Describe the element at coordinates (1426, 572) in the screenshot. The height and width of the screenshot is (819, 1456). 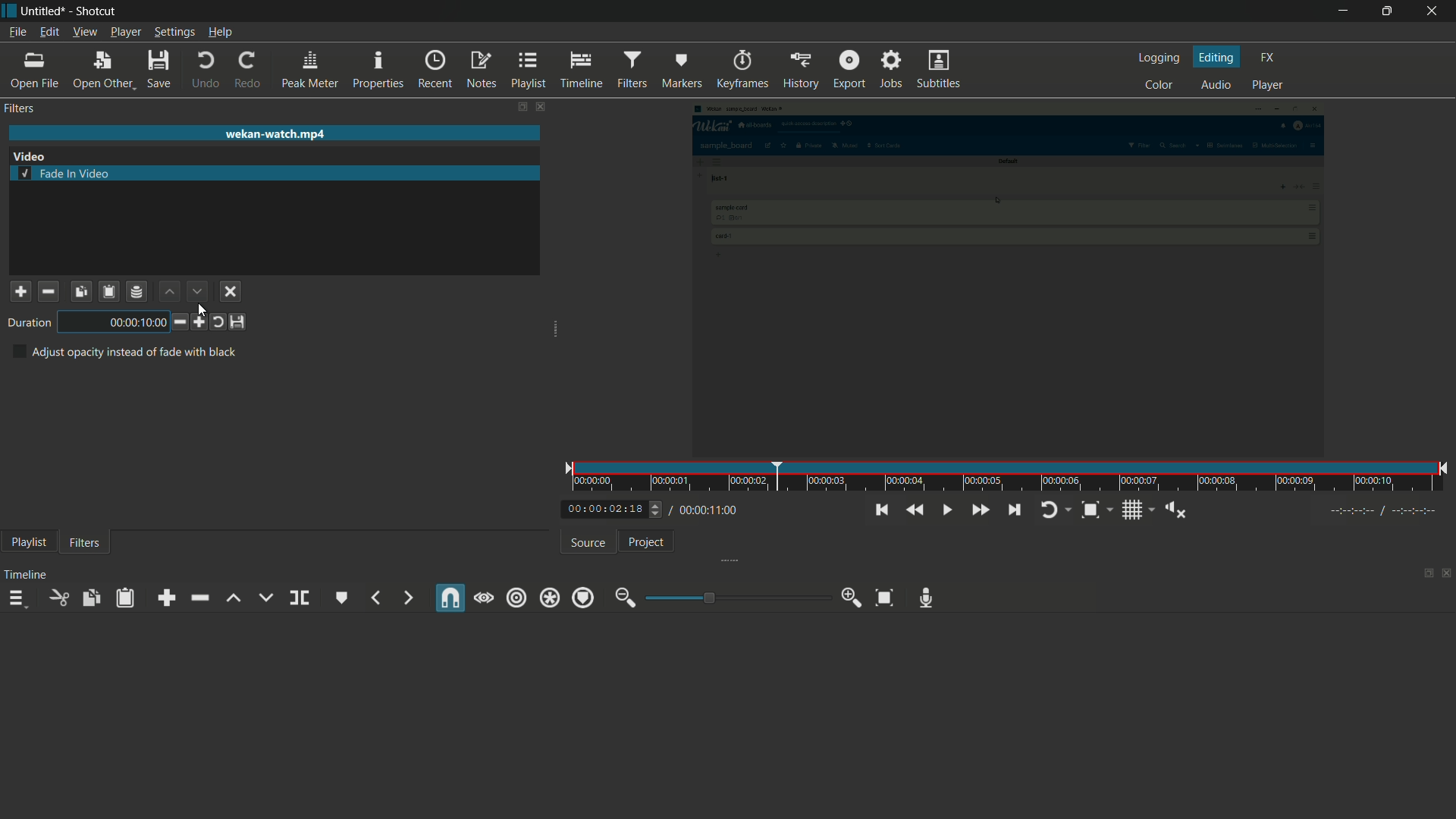
I see `change layout` at that location.